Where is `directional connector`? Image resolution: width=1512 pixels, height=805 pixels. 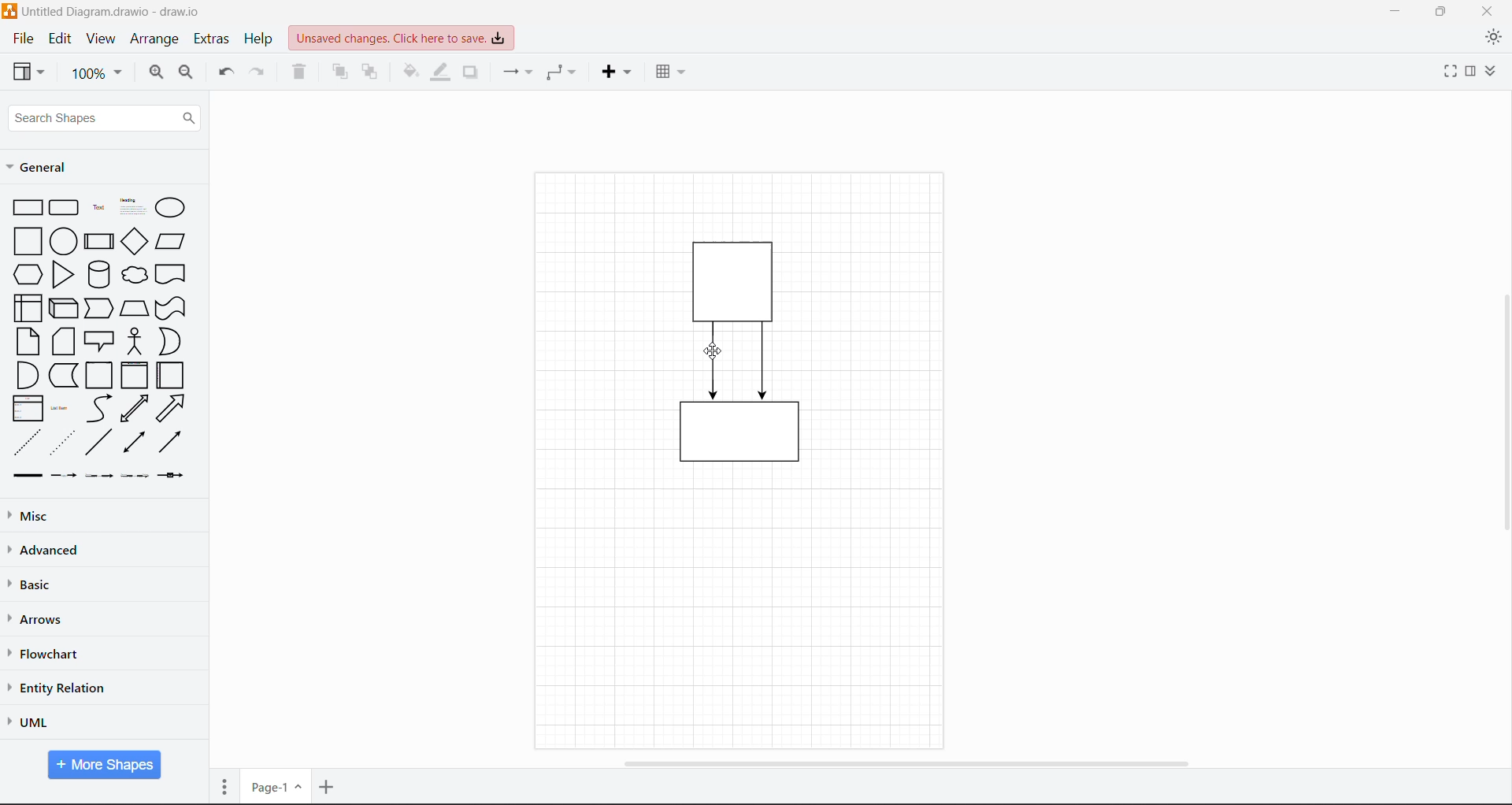
directional connector is located at coordinates (169, 442).